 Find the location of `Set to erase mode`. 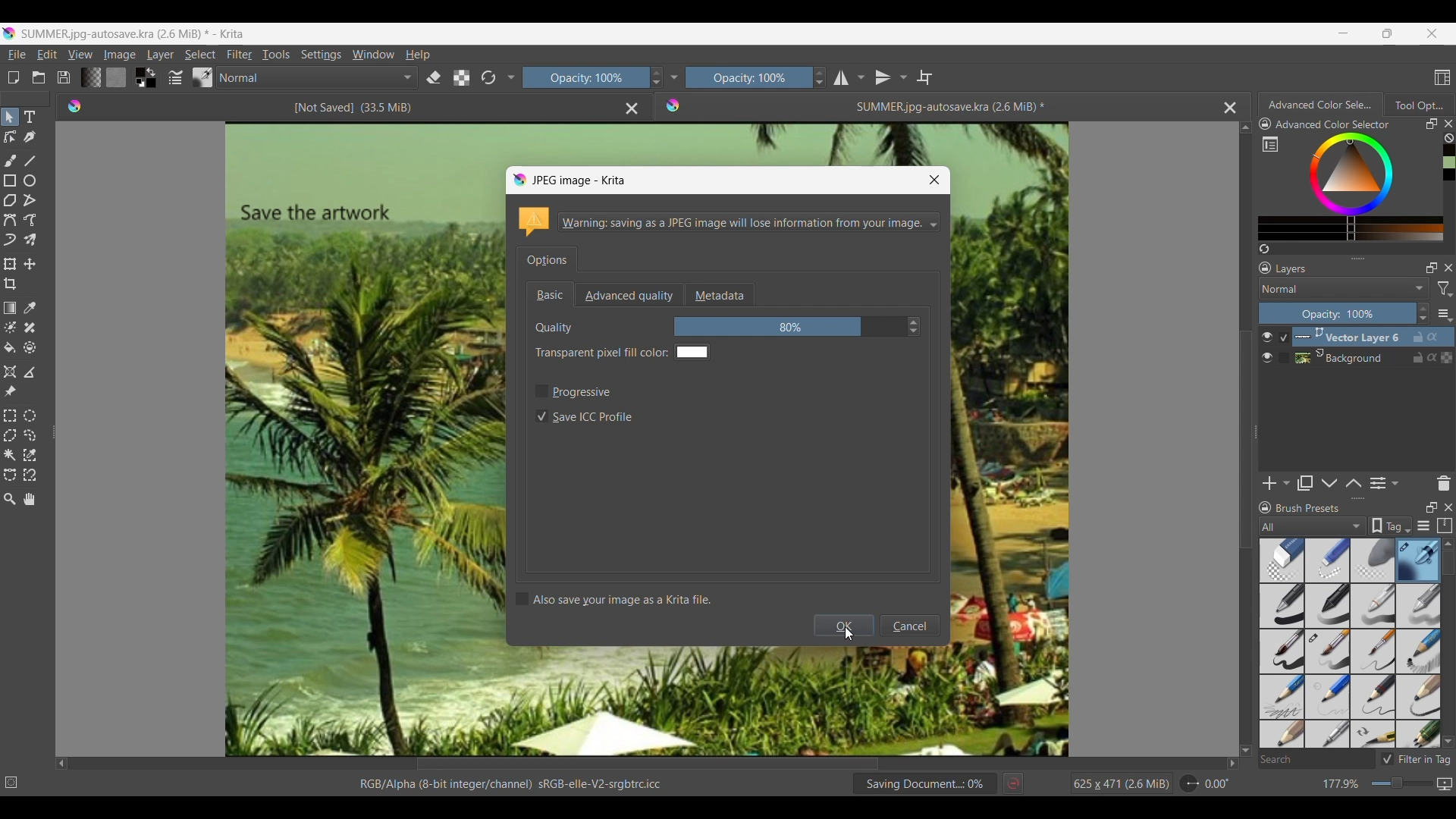

Set to erase mode is located at coordinates (434, 78).